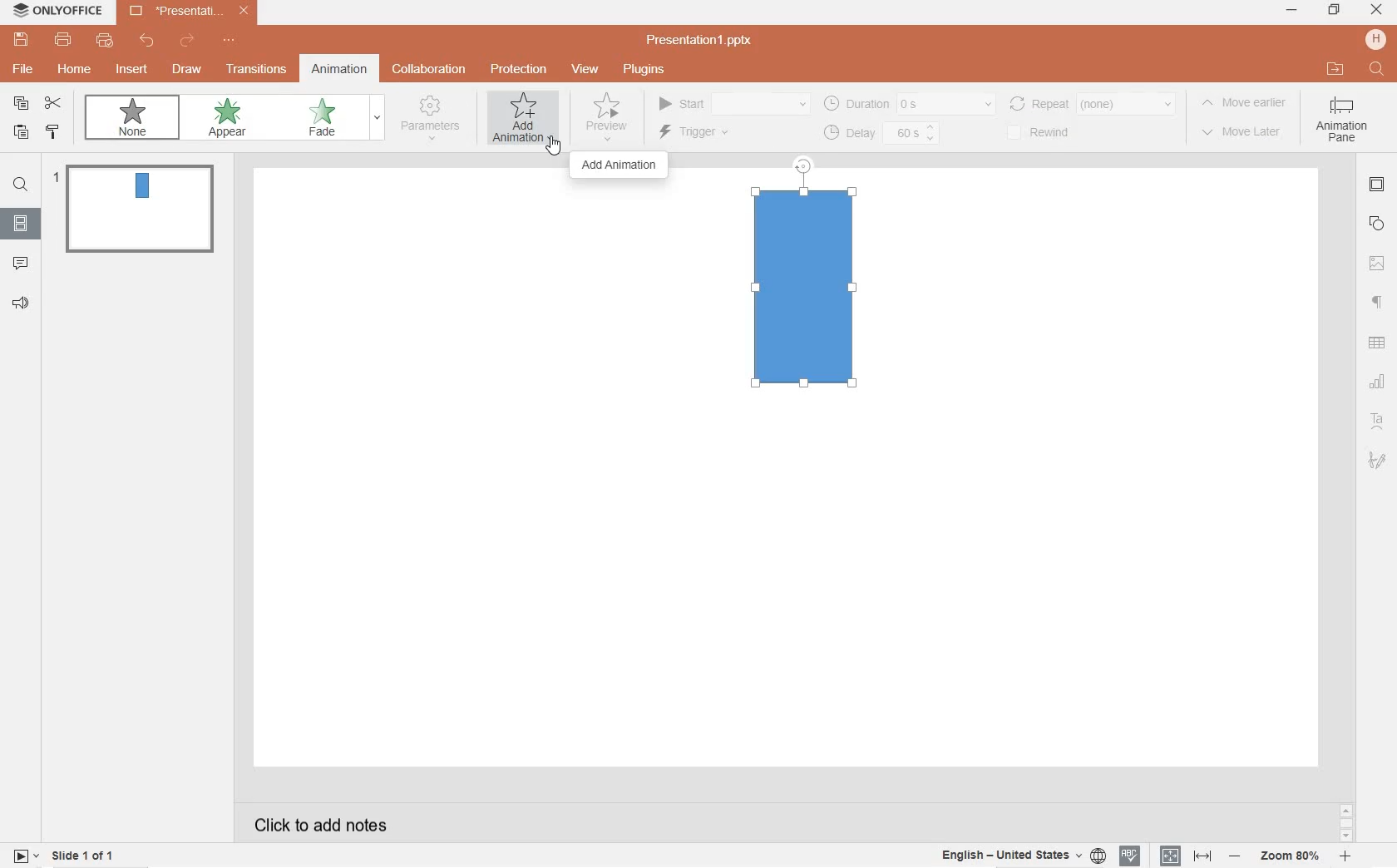 The width and height of the screenshot is (1397, 868). Describe the element at coordinates (85, 858) in the screenshot. I see `slide 1 of 1` at that location.